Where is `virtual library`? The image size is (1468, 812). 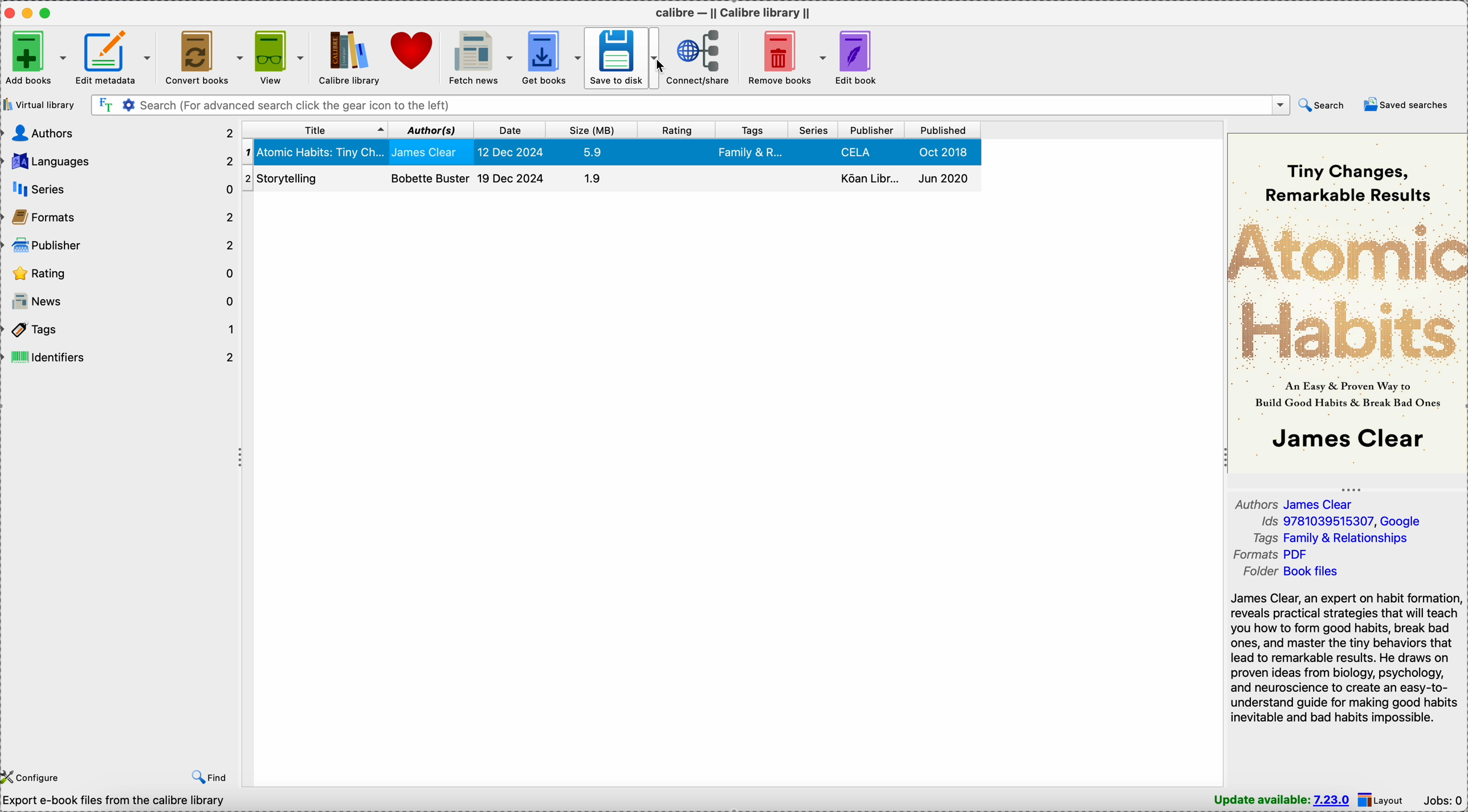 virtual library is located at coordinates (39, 104).